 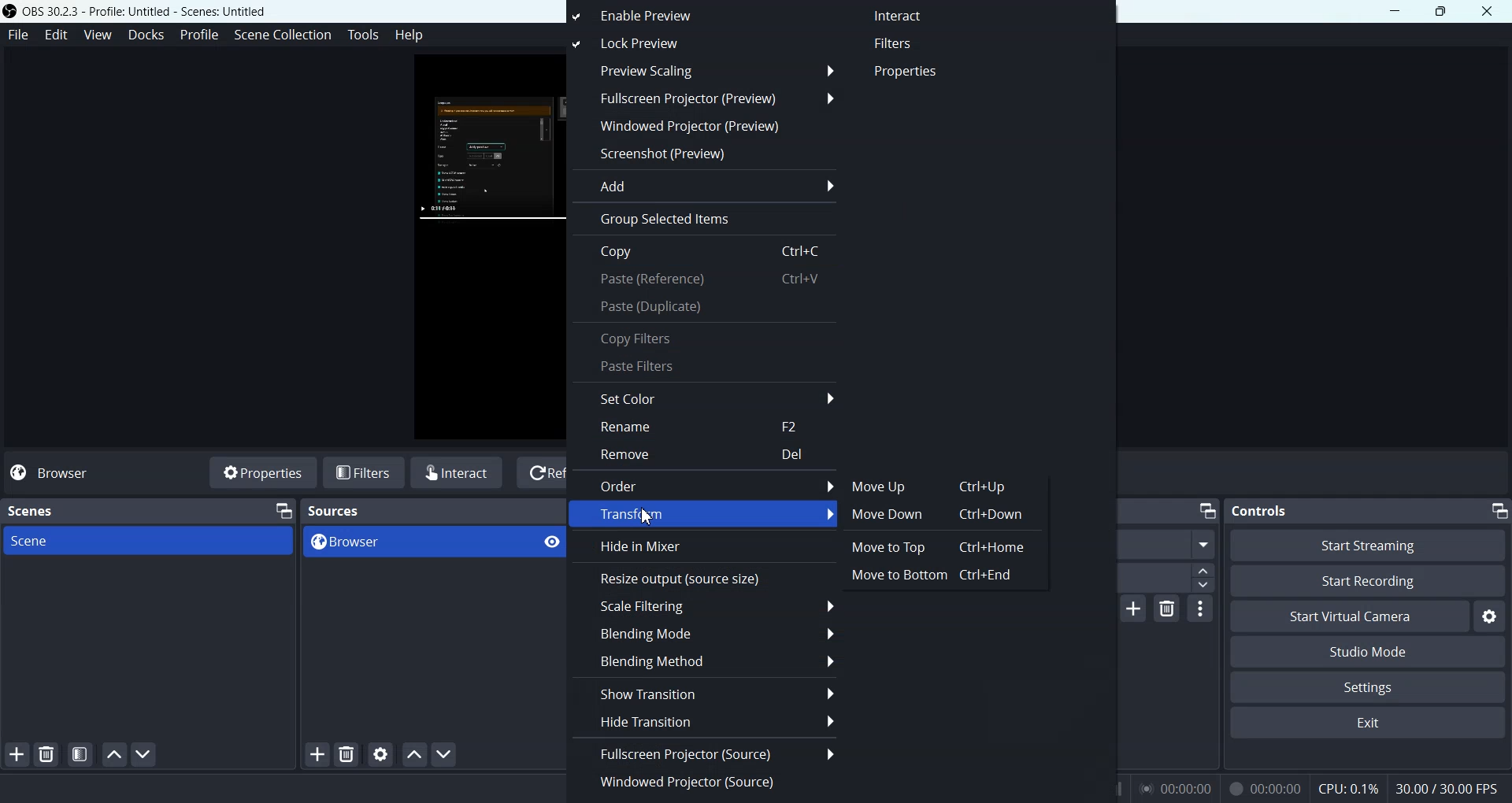 What do you see at coordinates (145, 754) in the screenshot?
I see `Move Scene Down` at bounding box center [145, 754].